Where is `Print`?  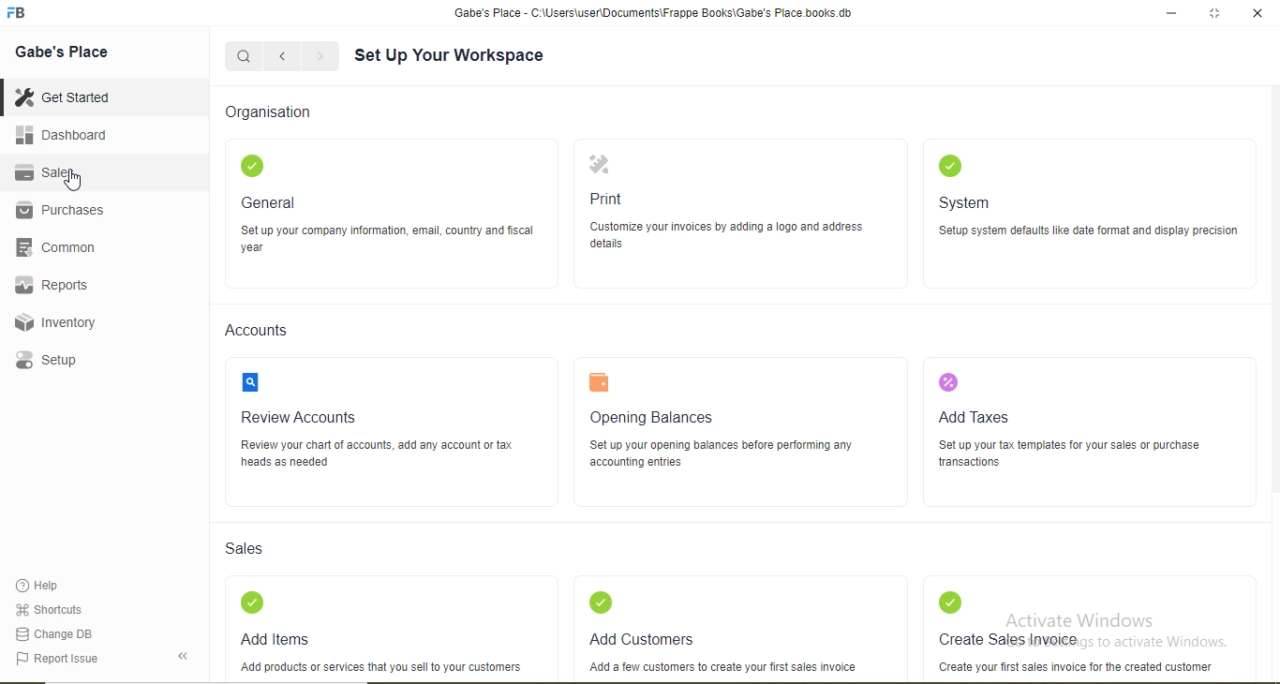
Print is located at coordinates (613, 198).